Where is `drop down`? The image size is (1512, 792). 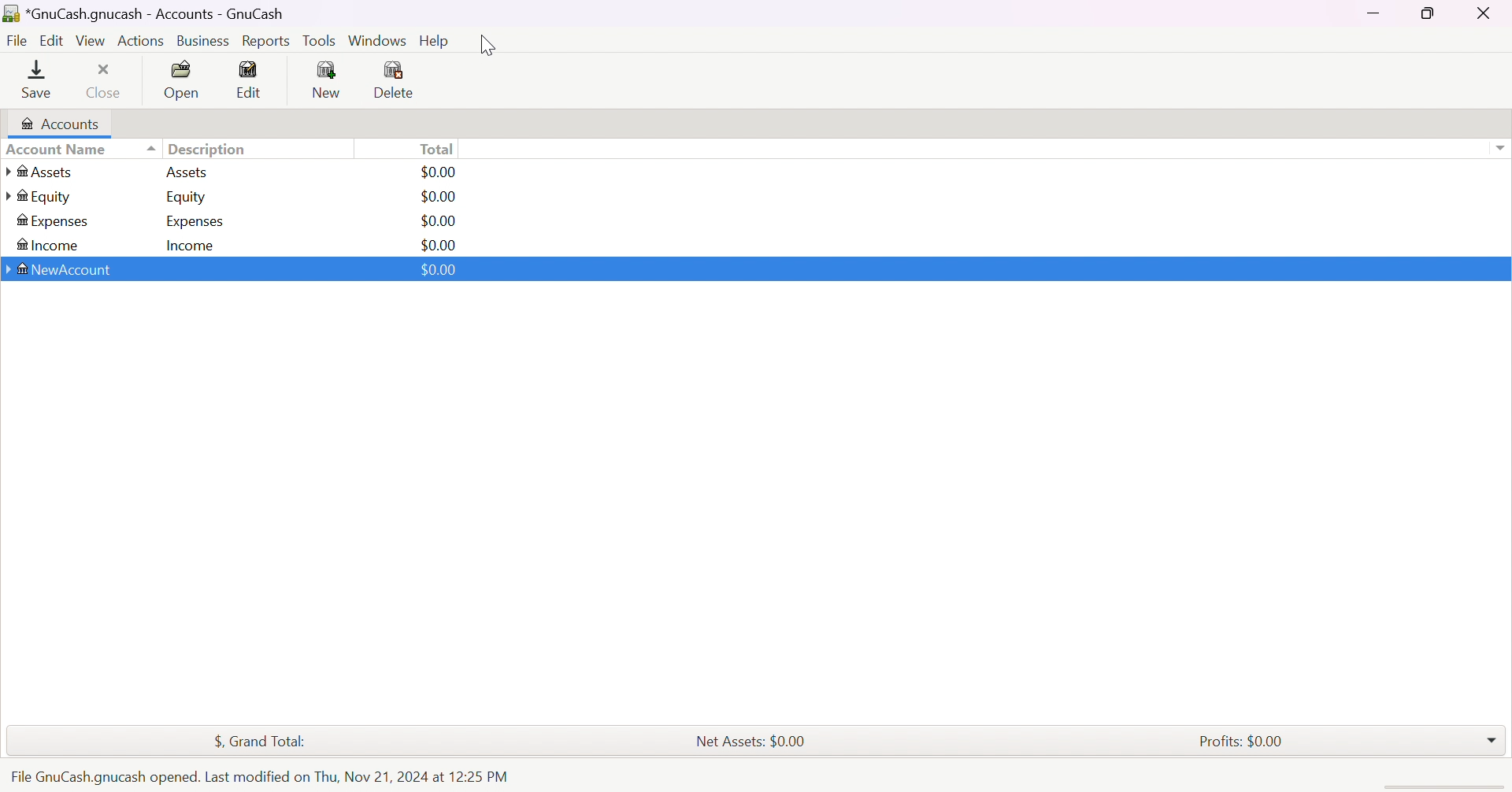 drop down is located at coordinates (1499, 148).